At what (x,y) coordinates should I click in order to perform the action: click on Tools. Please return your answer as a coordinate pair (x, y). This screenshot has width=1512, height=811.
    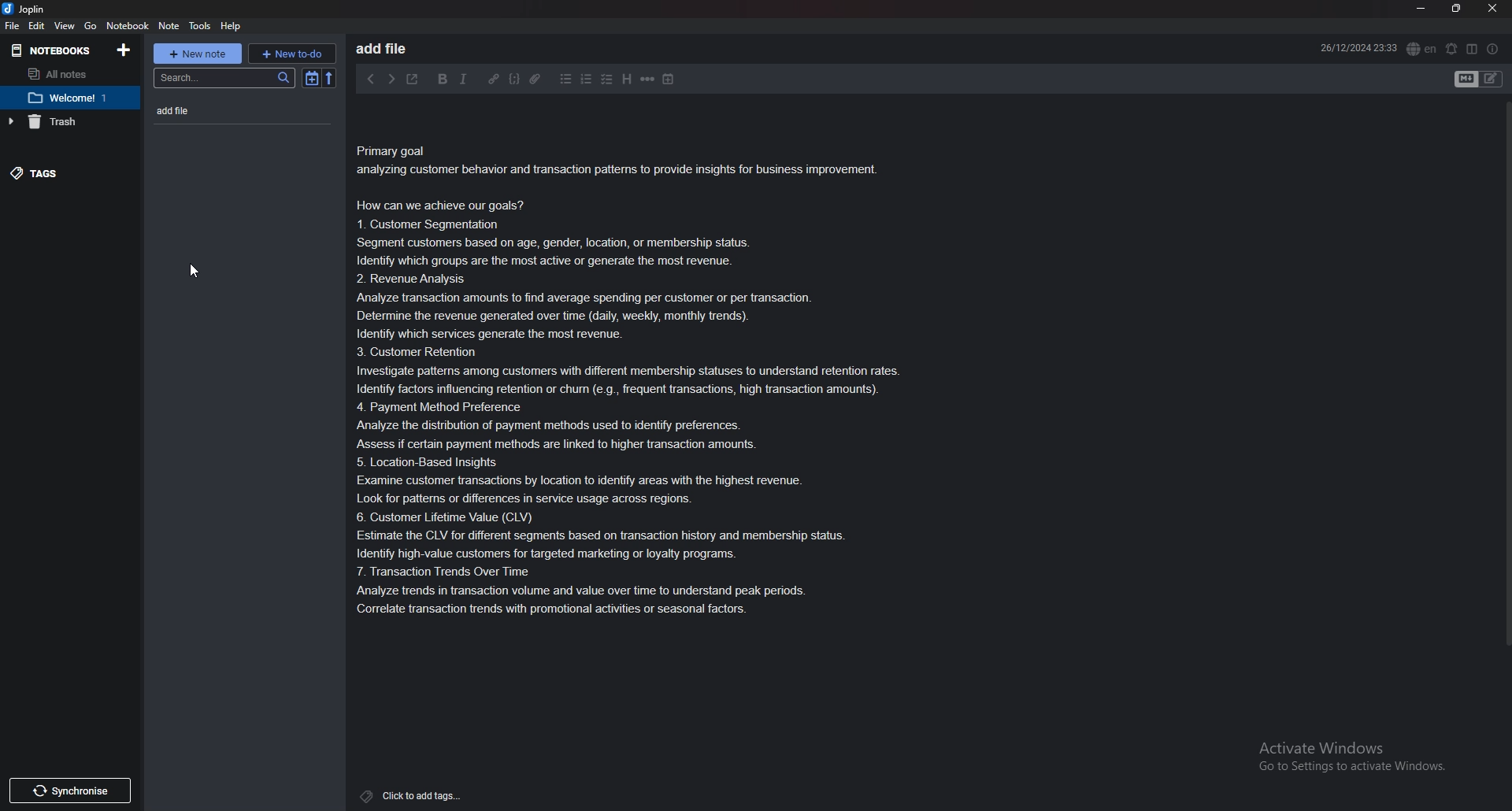
    Looking at the image, I should click on (201, 25).